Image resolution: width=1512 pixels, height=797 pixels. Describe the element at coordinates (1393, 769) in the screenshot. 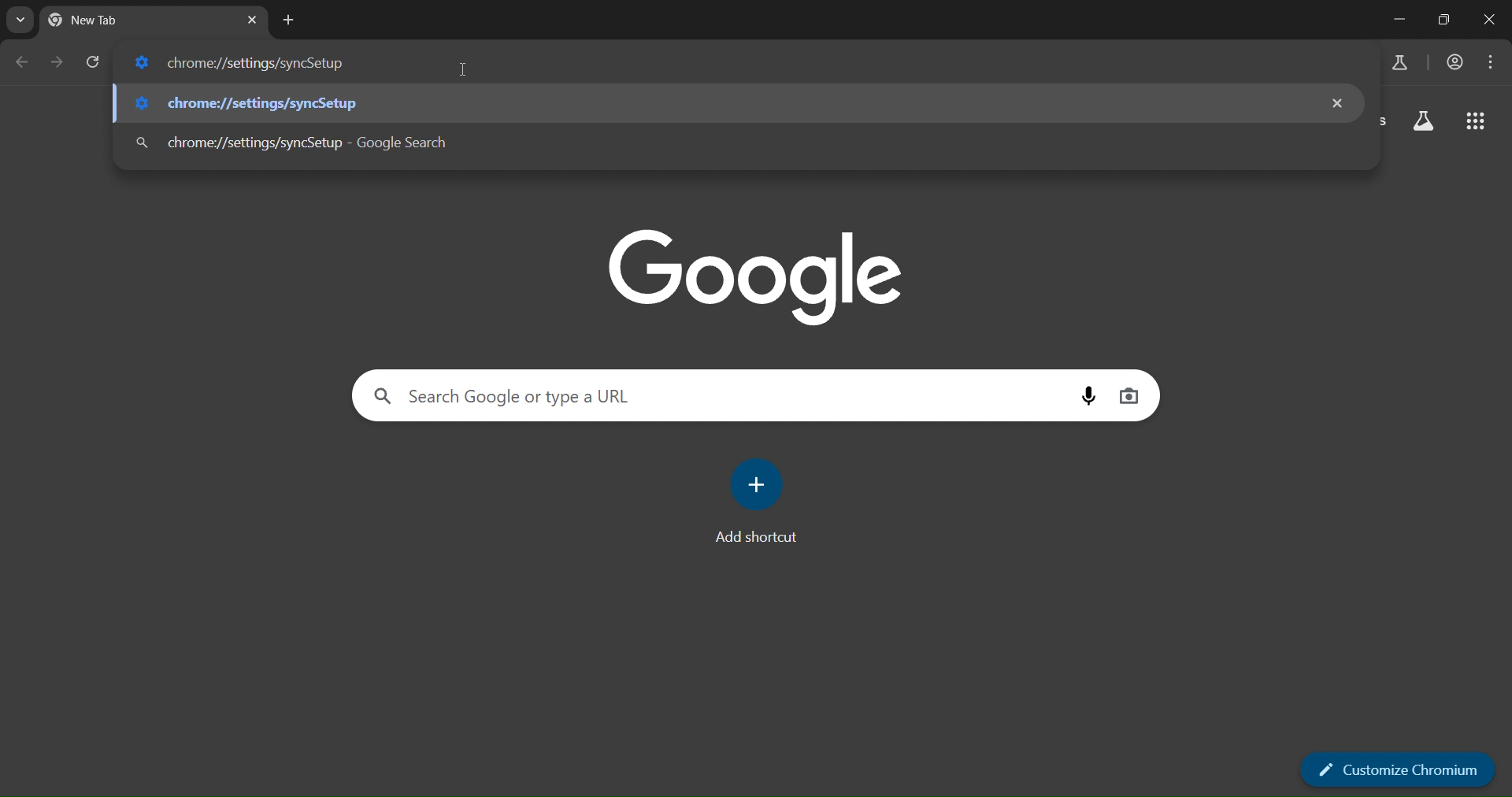

I see `customize chromium` at that location.